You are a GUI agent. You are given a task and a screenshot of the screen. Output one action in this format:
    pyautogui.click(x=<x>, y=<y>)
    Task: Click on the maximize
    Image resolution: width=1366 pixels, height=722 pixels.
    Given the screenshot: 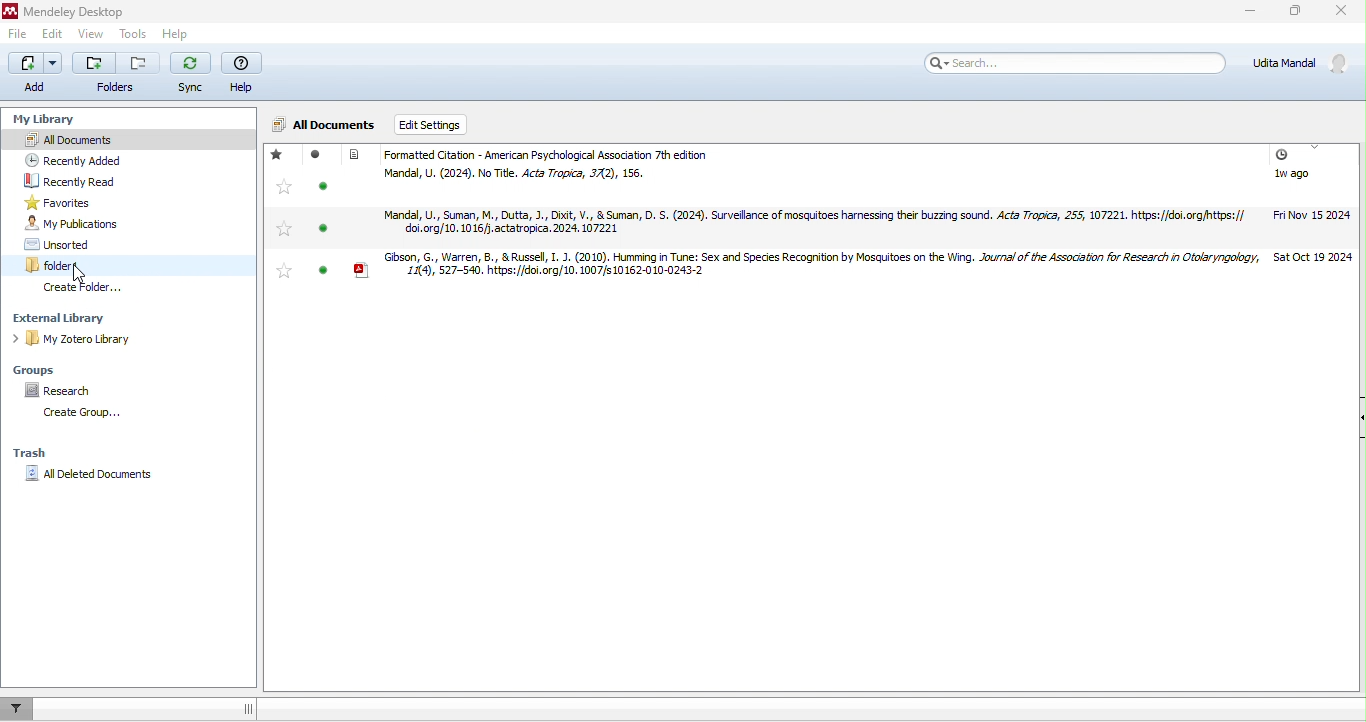 What is the action you would take?
    pyautogui.click(x=1295, y=10)
    